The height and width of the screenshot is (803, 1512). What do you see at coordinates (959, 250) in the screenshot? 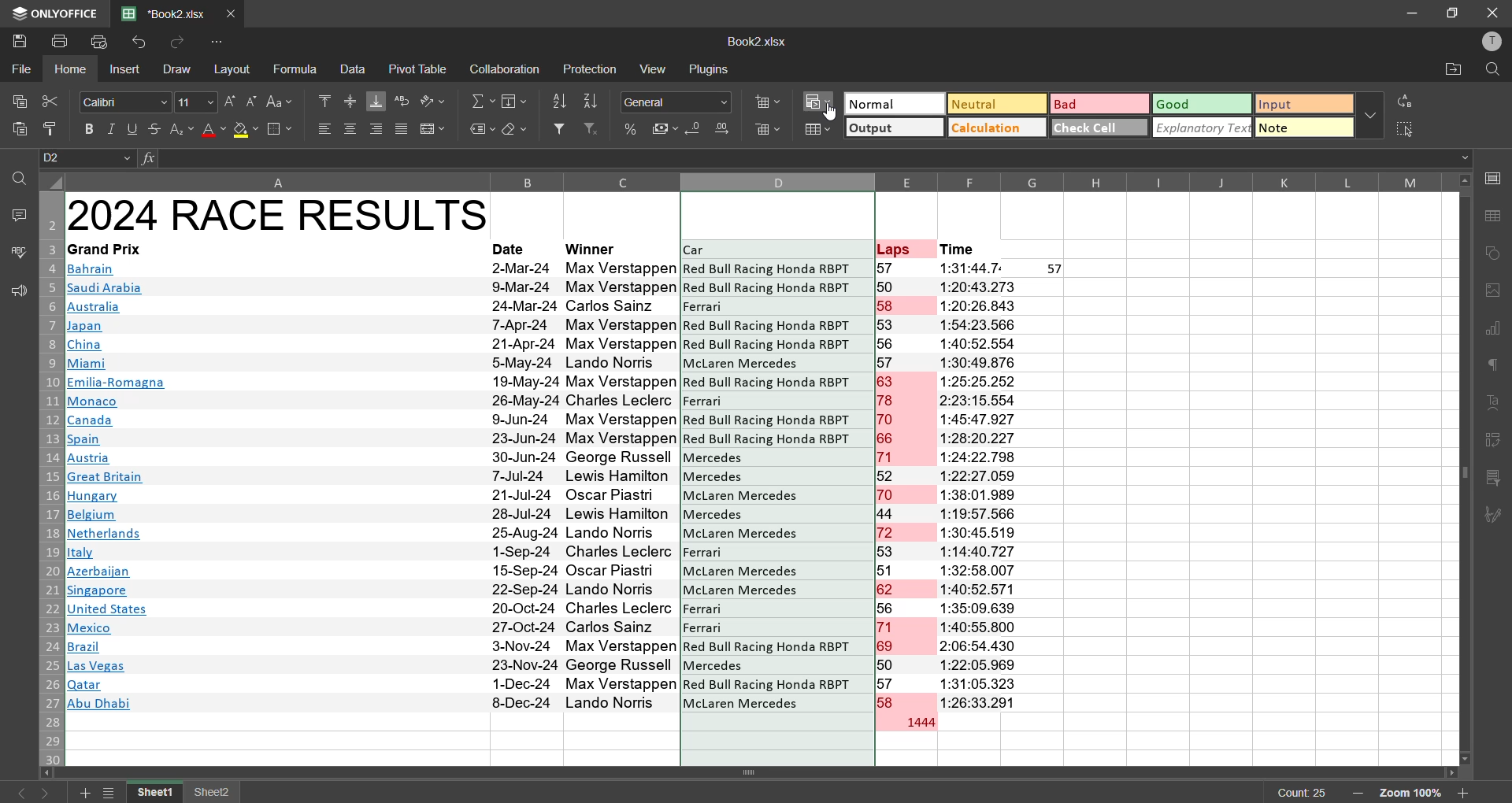
I see `time` at bounding box center [959, 250].